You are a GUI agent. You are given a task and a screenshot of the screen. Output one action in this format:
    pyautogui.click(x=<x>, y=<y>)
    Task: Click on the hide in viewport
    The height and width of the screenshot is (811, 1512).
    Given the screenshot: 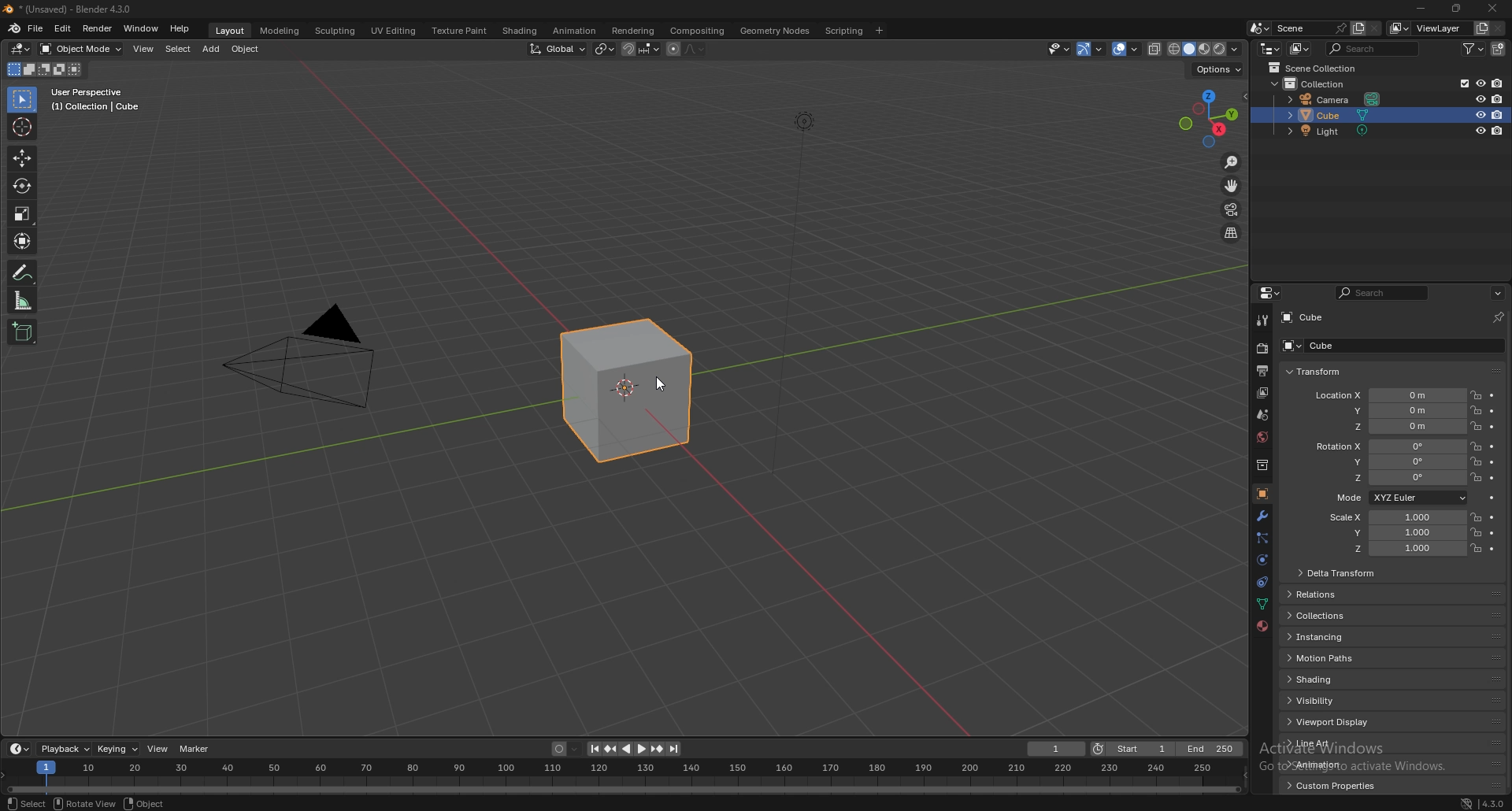 What is the action you would take?
    pyautogui.click(x=1480, y=98)
    